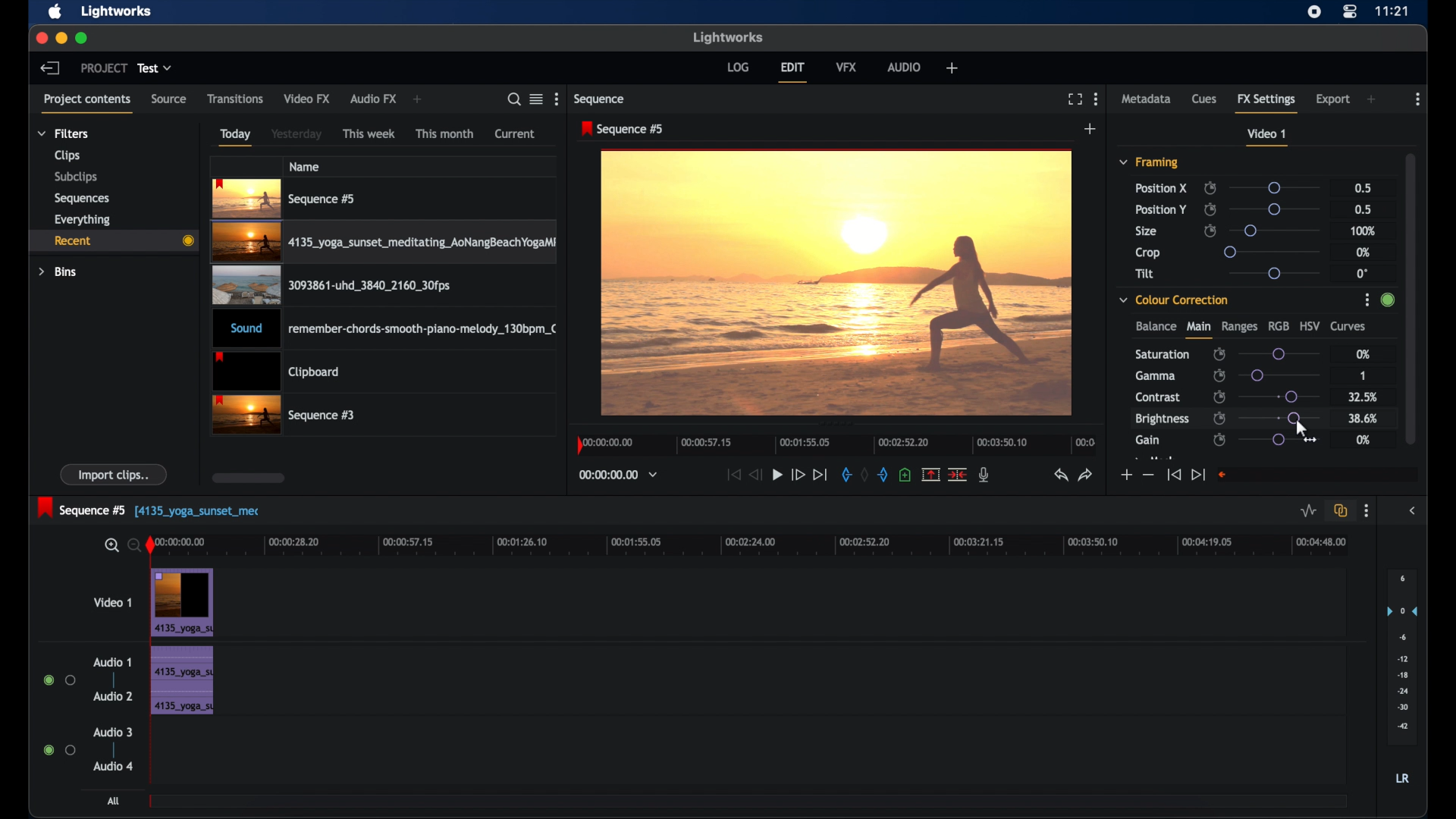  What do you see at coordinates (1314, 12) in the screenshot?
I see `screen recorder icon` at bounding box center [1314, 12].